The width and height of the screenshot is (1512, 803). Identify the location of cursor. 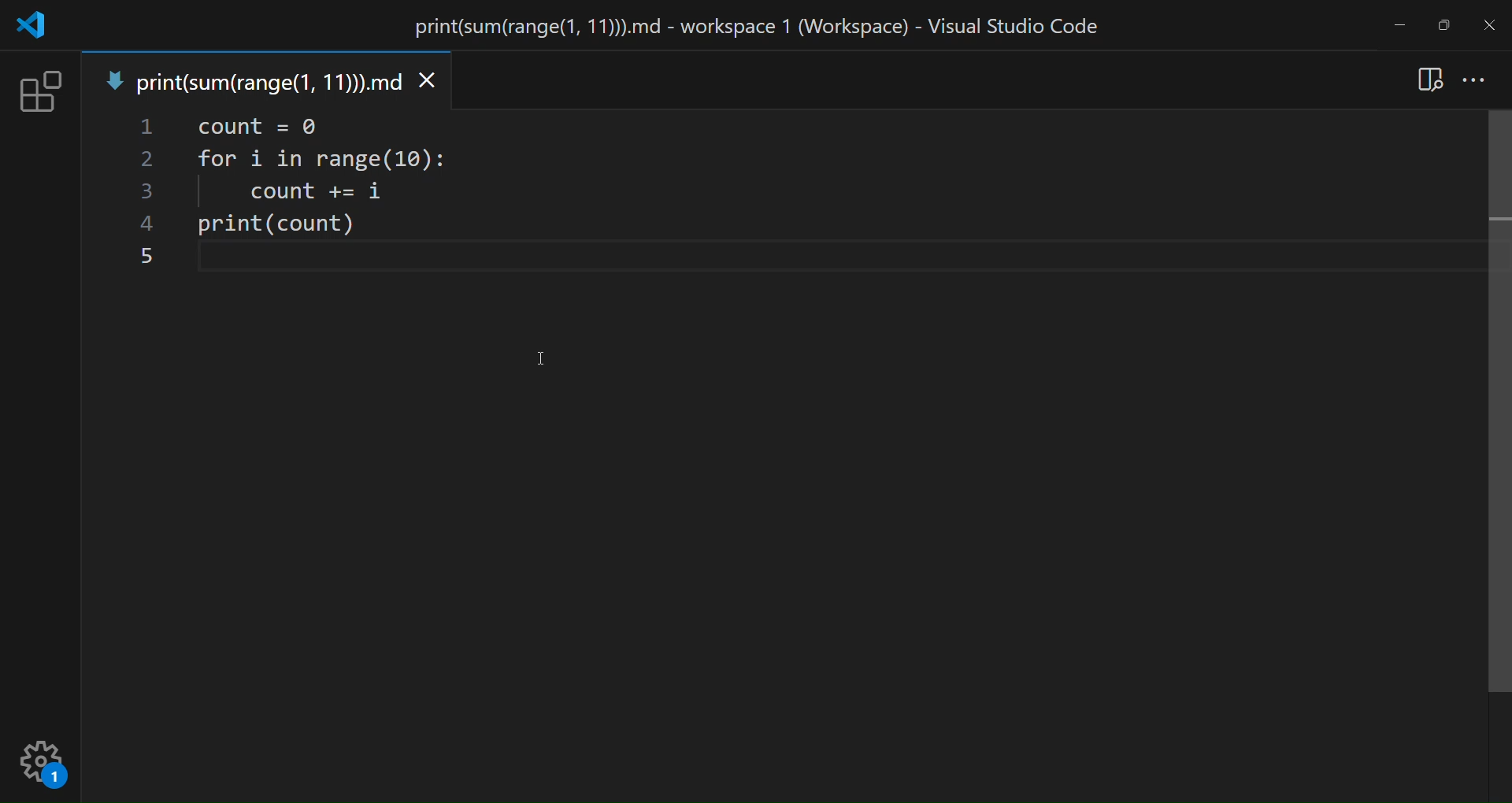
(540, 357).